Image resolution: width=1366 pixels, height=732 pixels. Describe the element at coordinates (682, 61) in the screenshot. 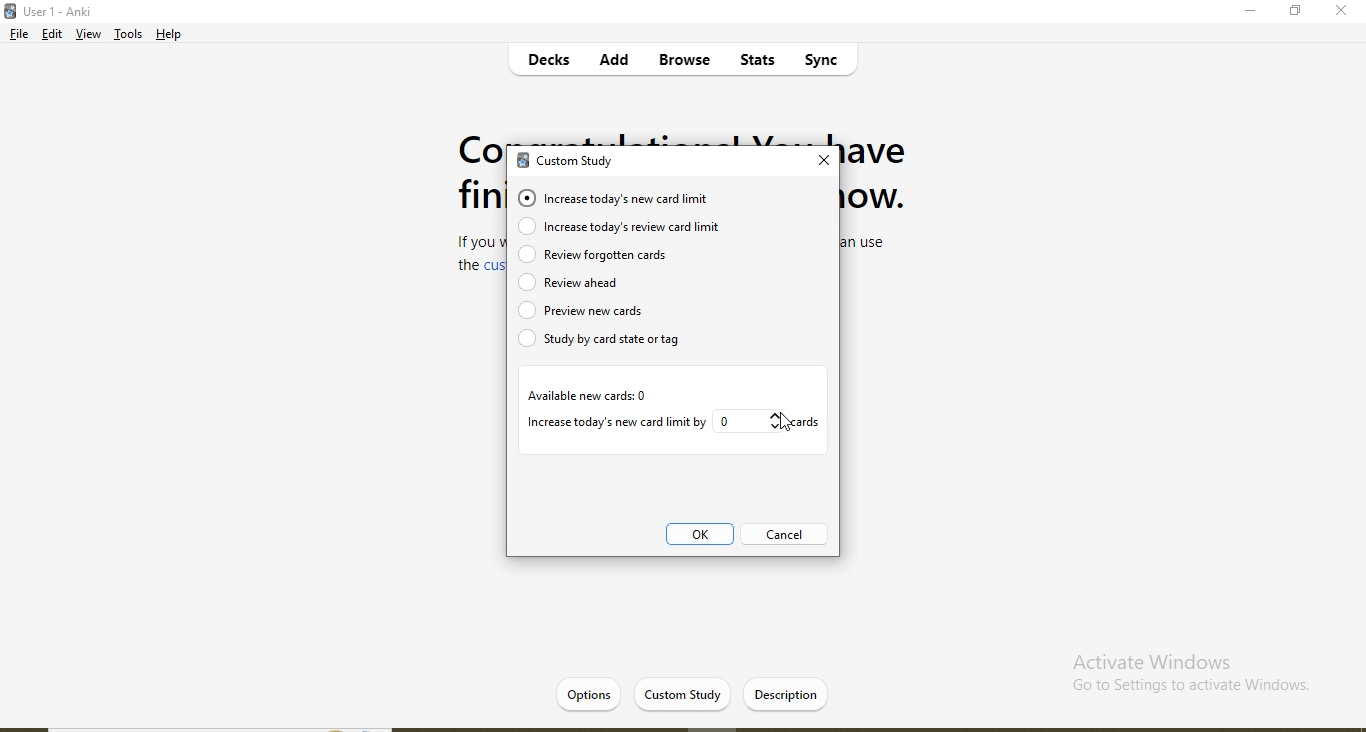

I see `browse` at that location.